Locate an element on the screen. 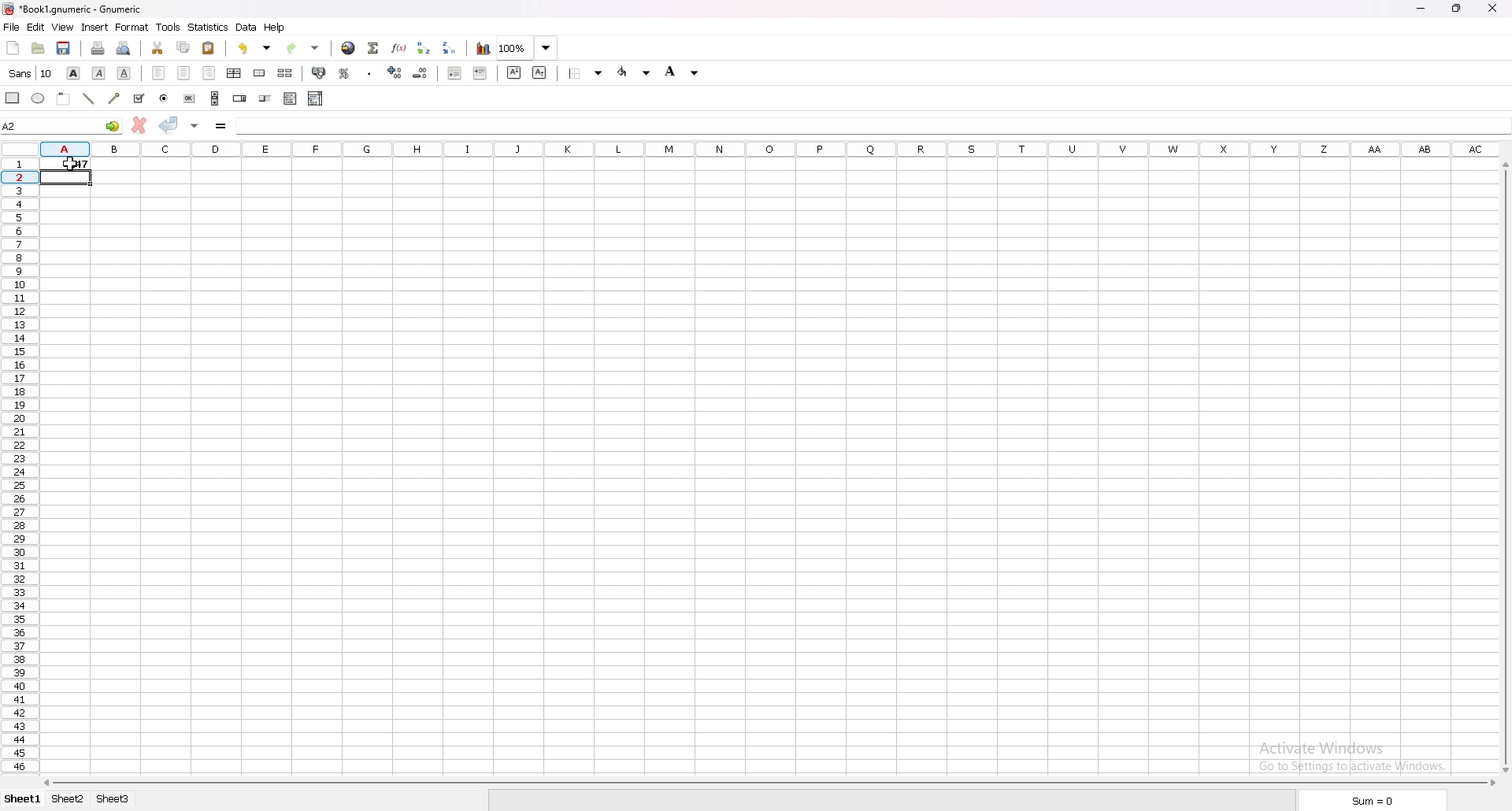 This screenshot has height=811, width=1512. bold is located at coordinates (73, 72).